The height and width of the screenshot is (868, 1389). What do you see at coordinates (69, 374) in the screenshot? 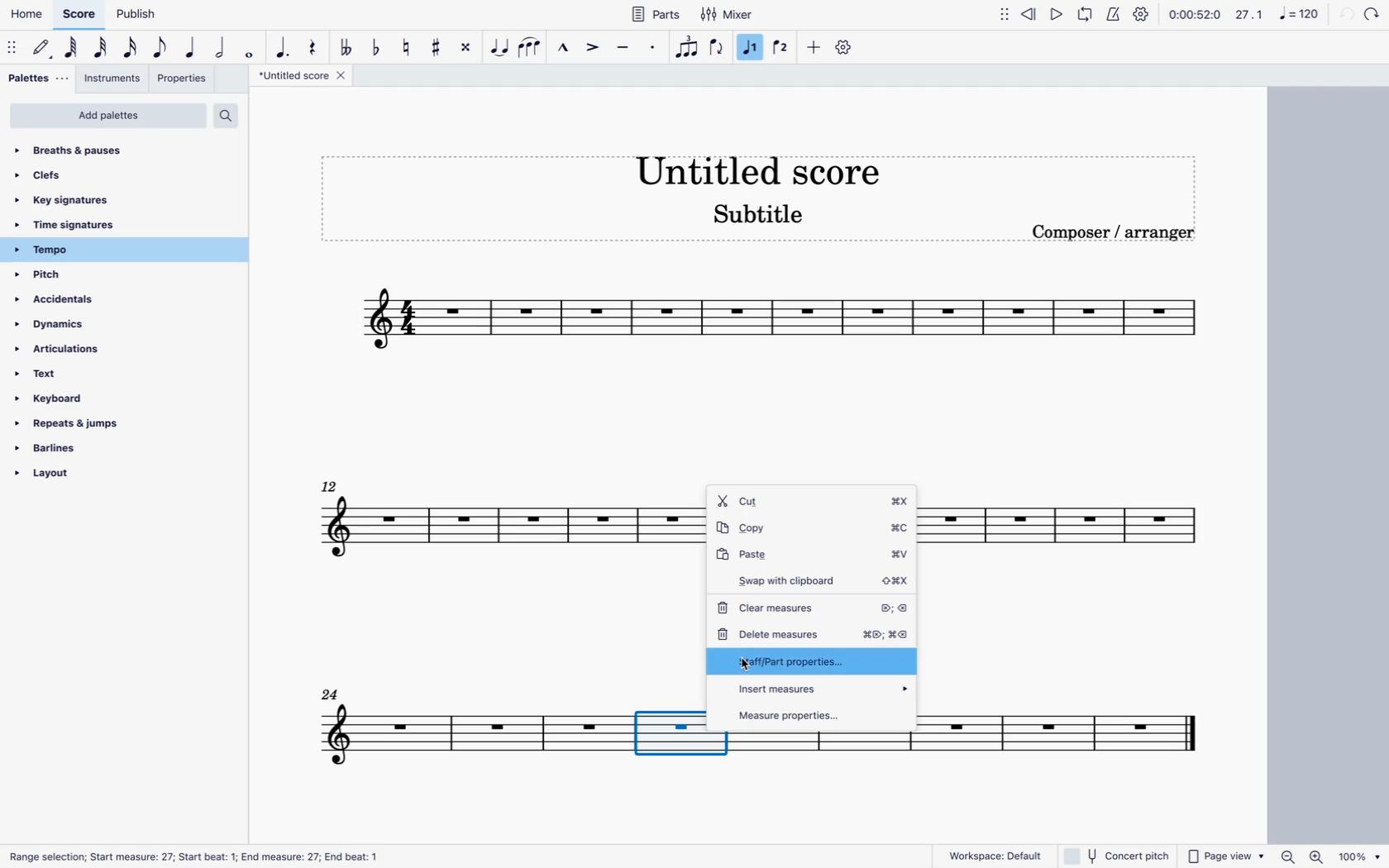
I see `text` at bounding box center [69, 374].